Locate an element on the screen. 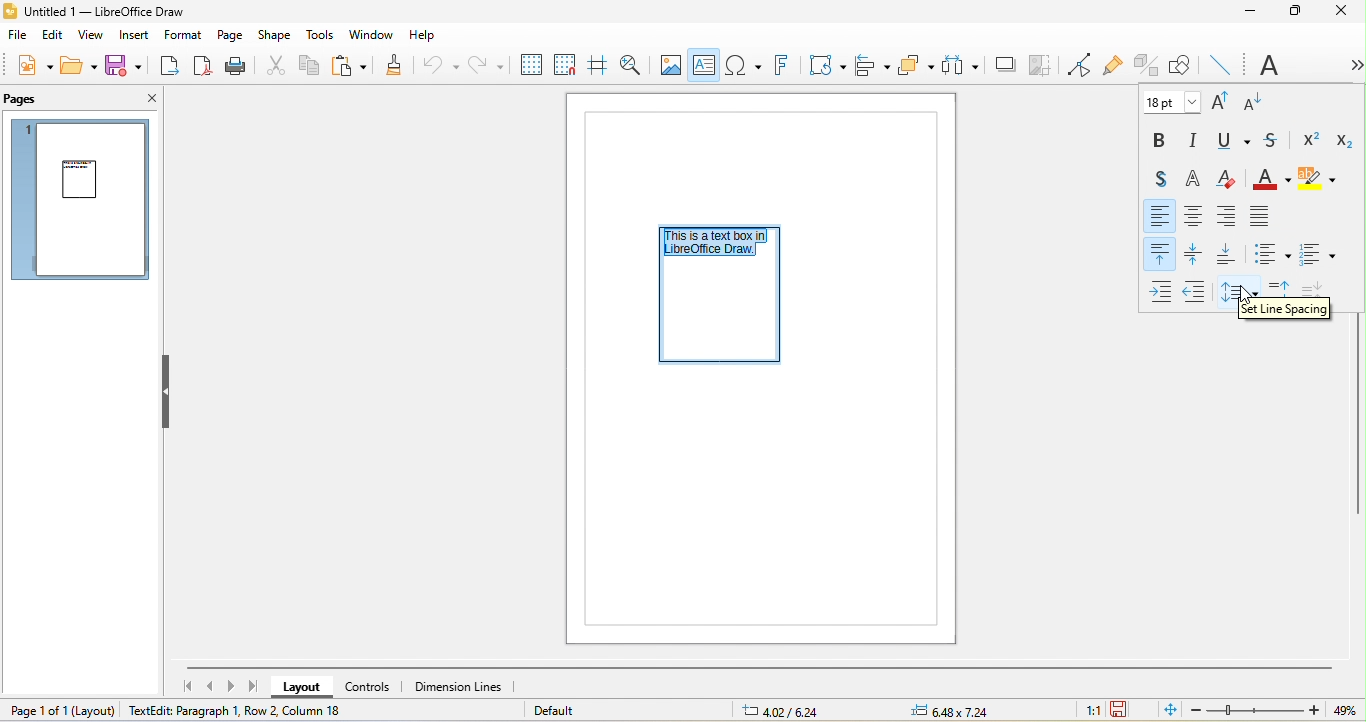  view is located at coordinates (95, 36).